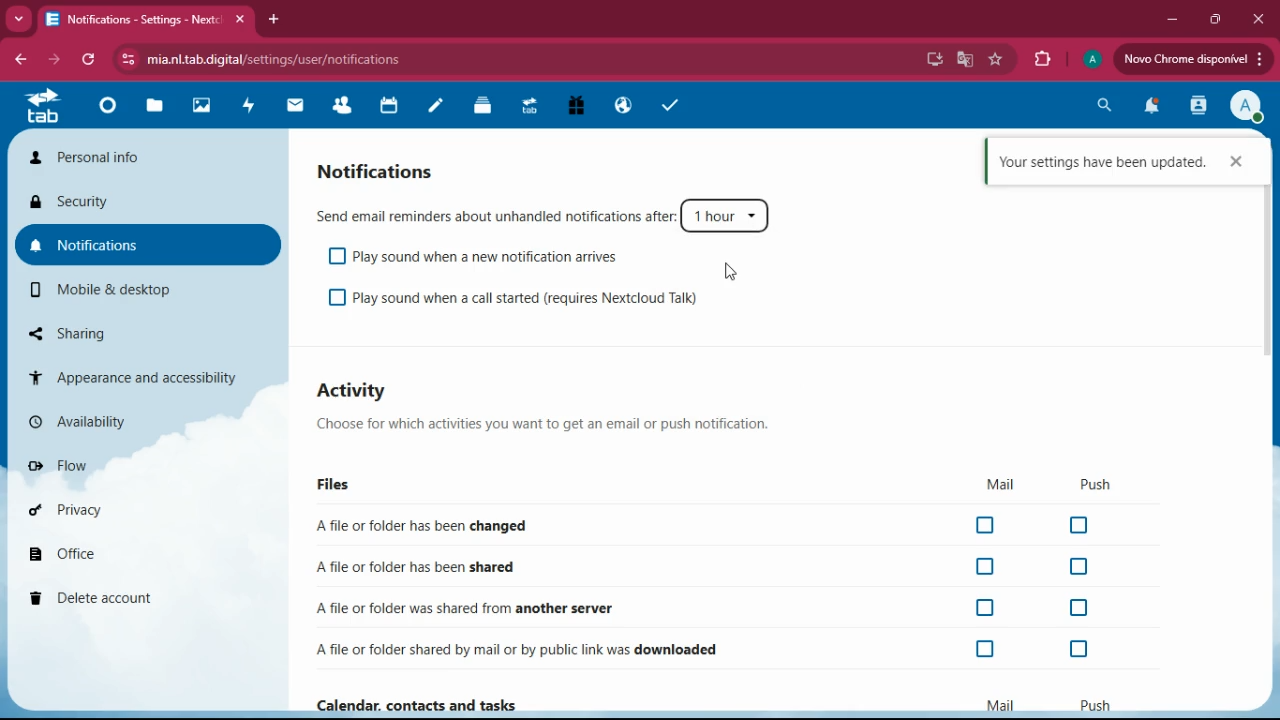 The width and height of the screenshot is (1280, 720). What do you see at coordinates (996, 61) in the screenshot?
I see `favorite` at bounding box center [996, 61].